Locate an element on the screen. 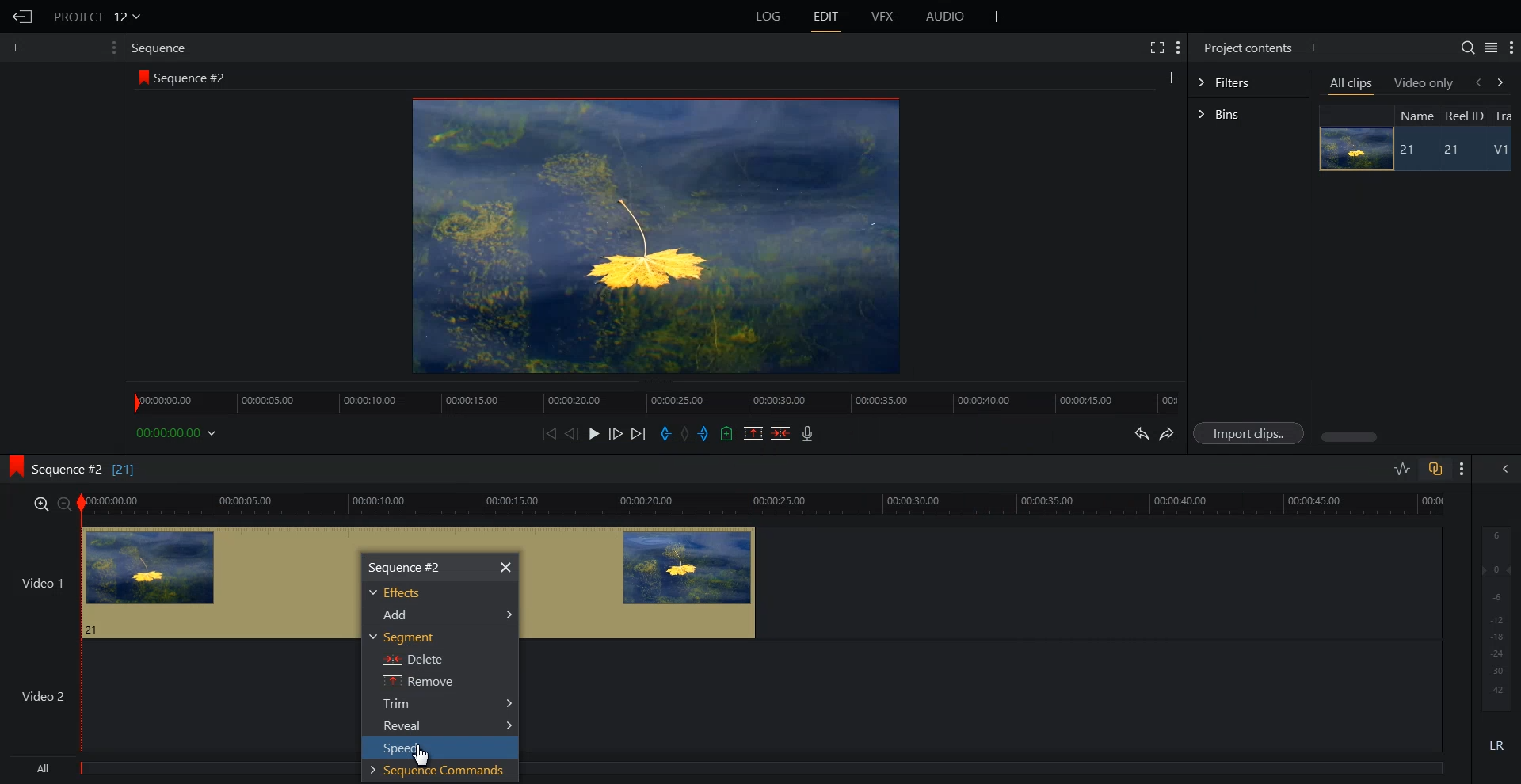  Full screen is located at coordinates (1156, 46).